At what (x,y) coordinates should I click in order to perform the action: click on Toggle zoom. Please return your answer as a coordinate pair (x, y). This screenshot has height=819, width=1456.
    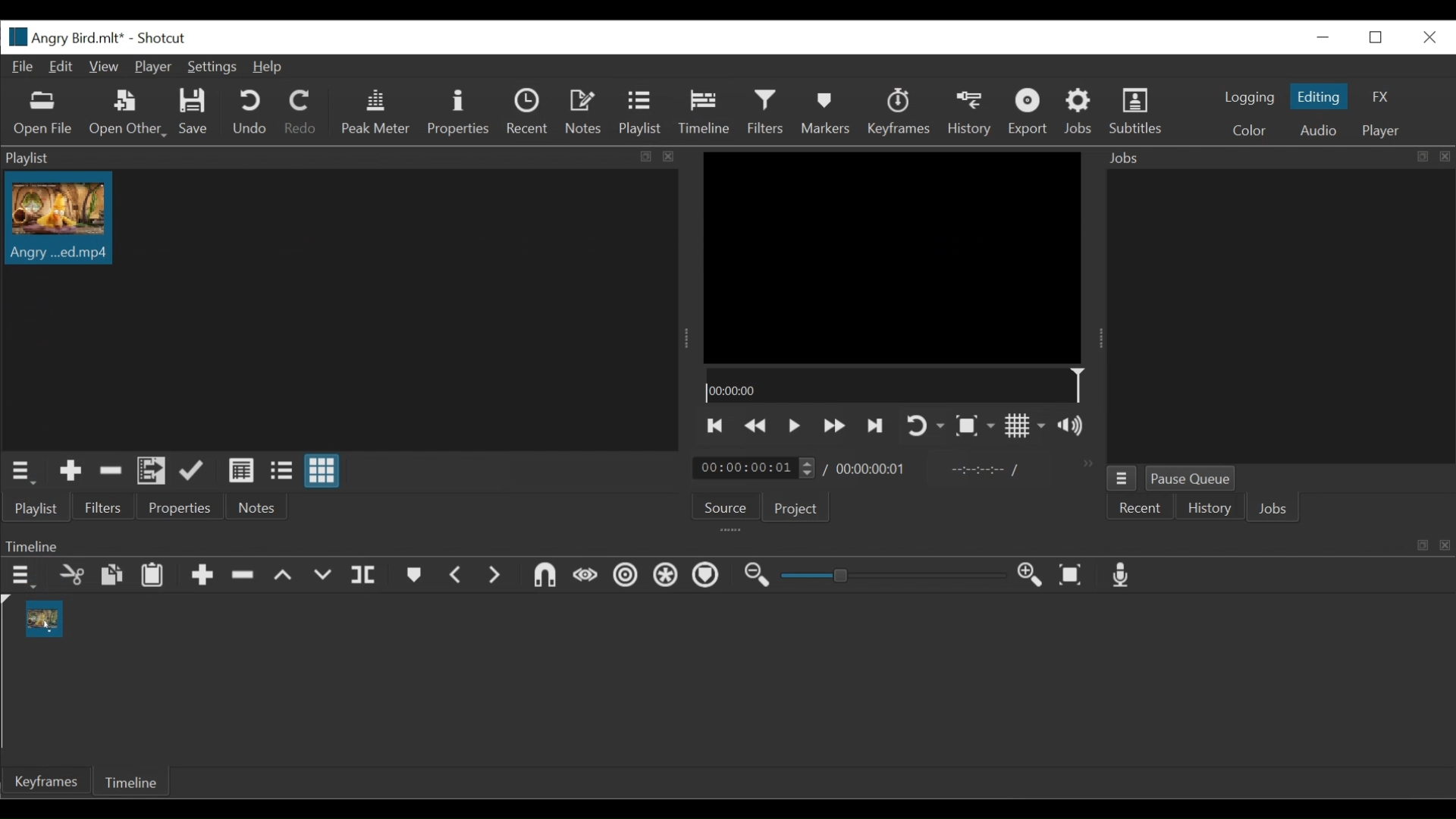
    Looking at the image, I should click on (974, 425).